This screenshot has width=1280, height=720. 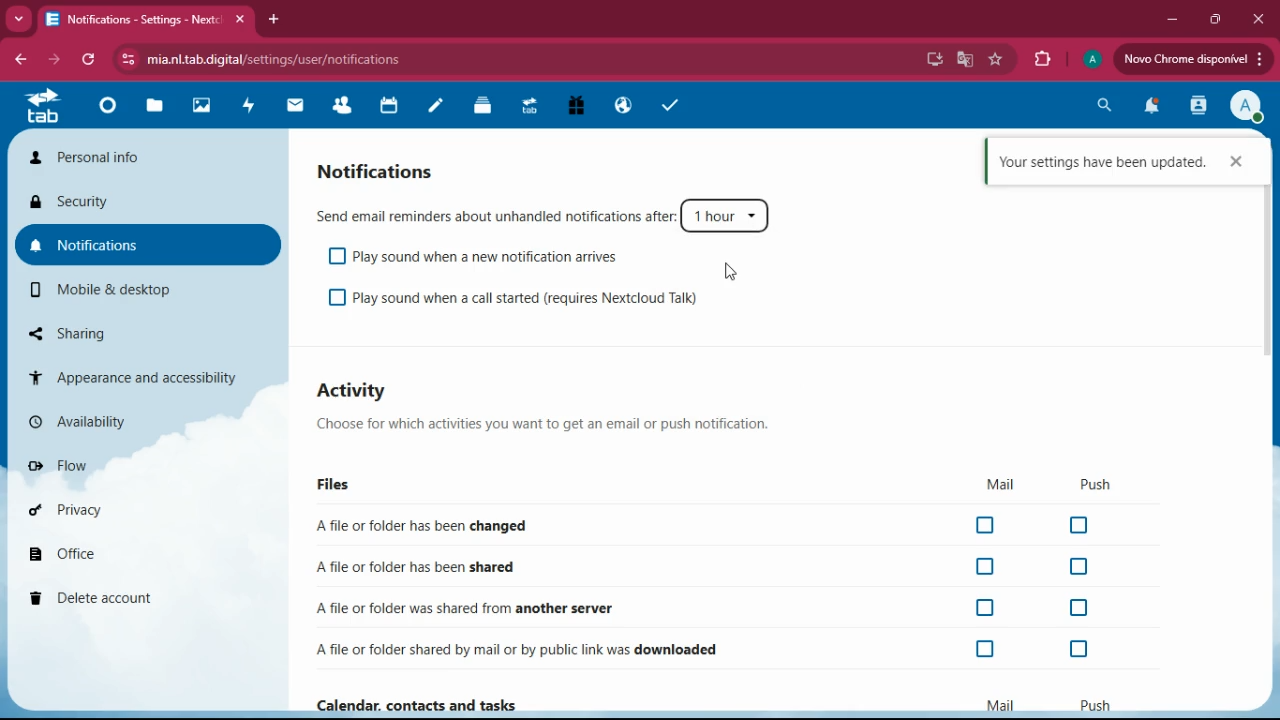 I want to click on notifications, so click(x=148, y=245).